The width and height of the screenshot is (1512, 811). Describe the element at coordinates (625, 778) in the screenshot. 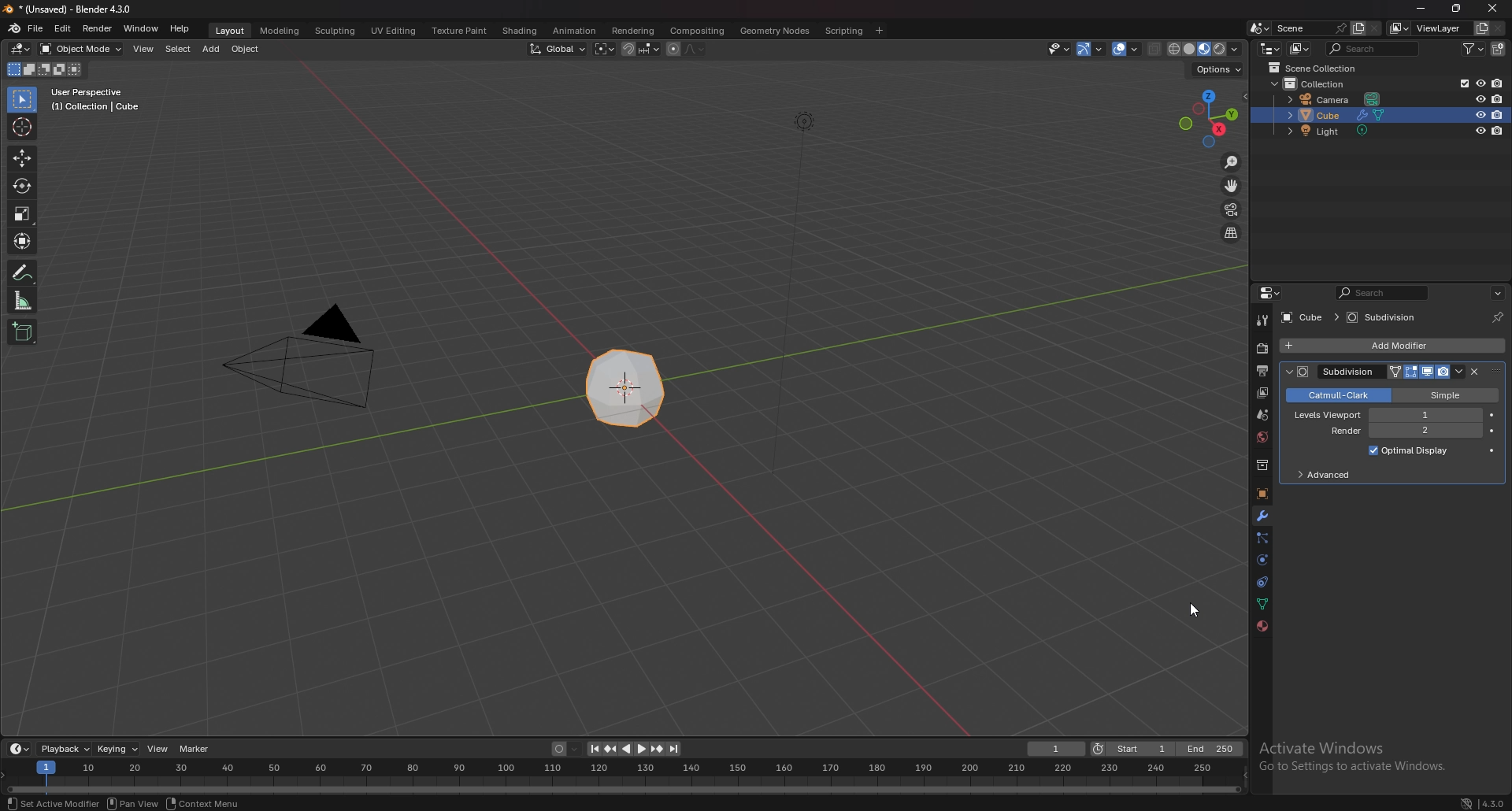

I see `seek` at that location.